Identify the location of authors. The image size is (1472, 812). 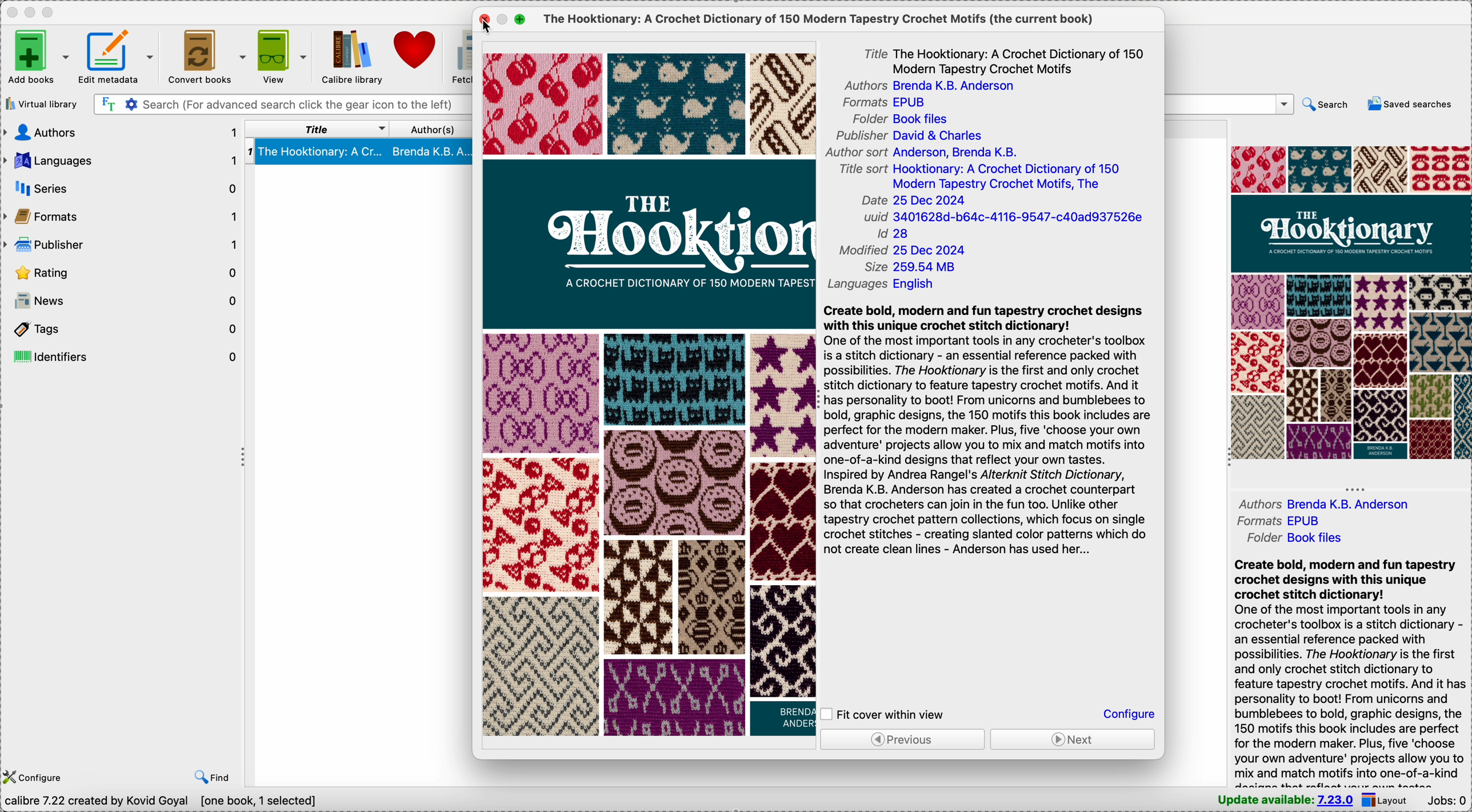
(930, 87).